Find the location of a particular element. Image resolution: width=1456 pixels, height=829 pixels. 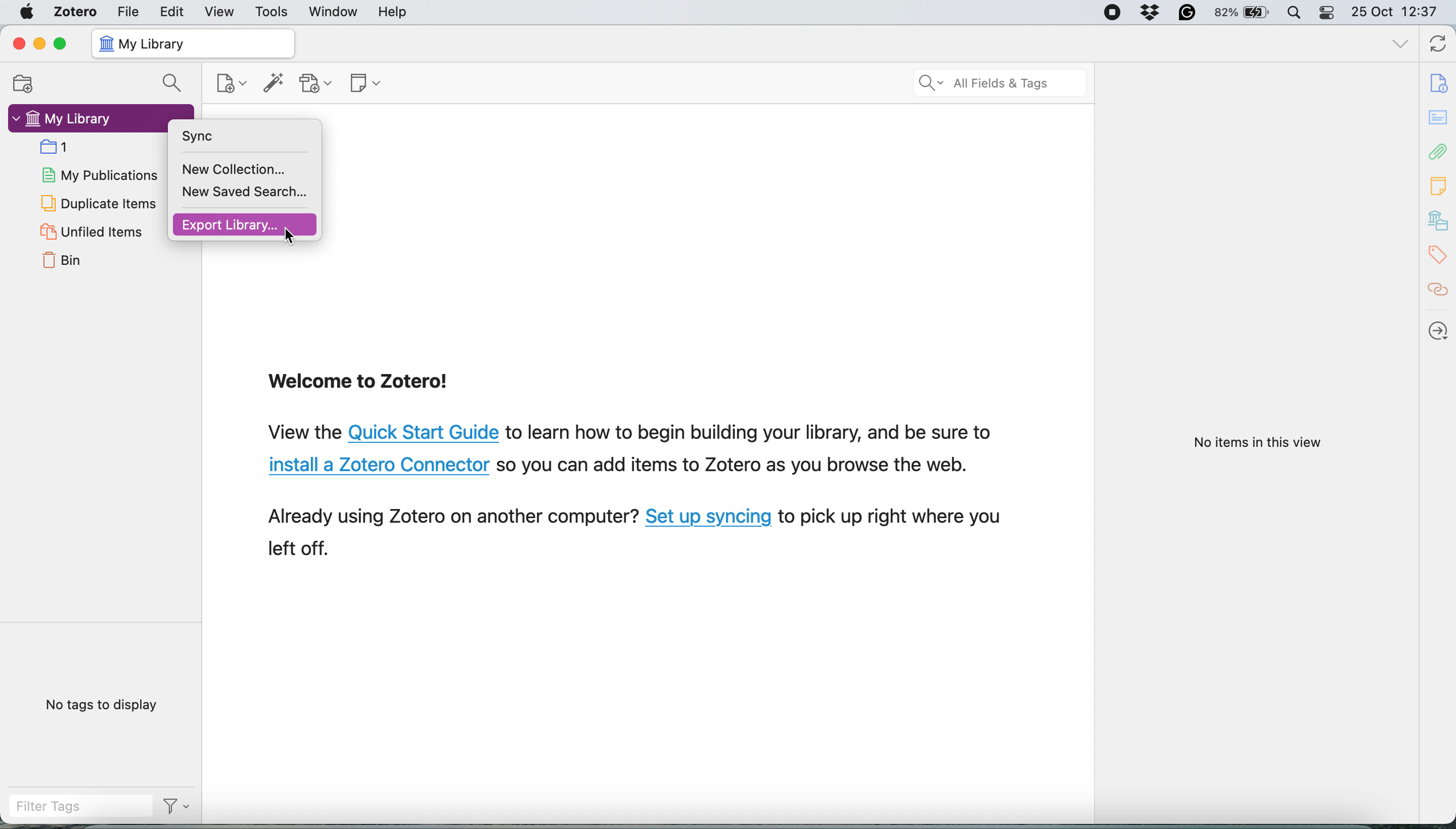

Filter Options is located at coordinates (179, 809).